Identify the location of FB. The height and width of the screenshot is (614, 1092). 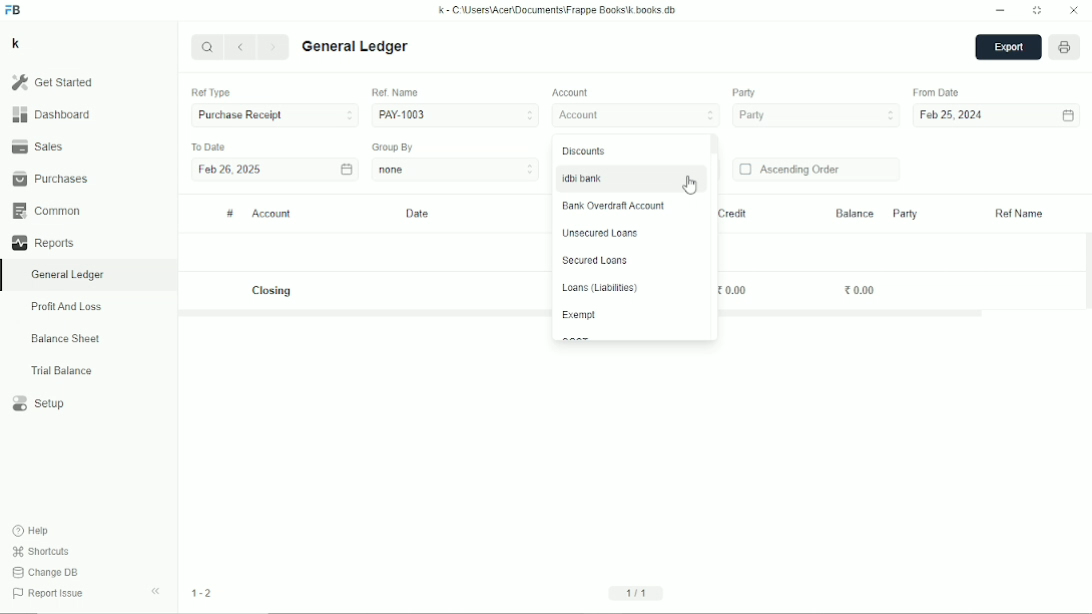
(13, 10).